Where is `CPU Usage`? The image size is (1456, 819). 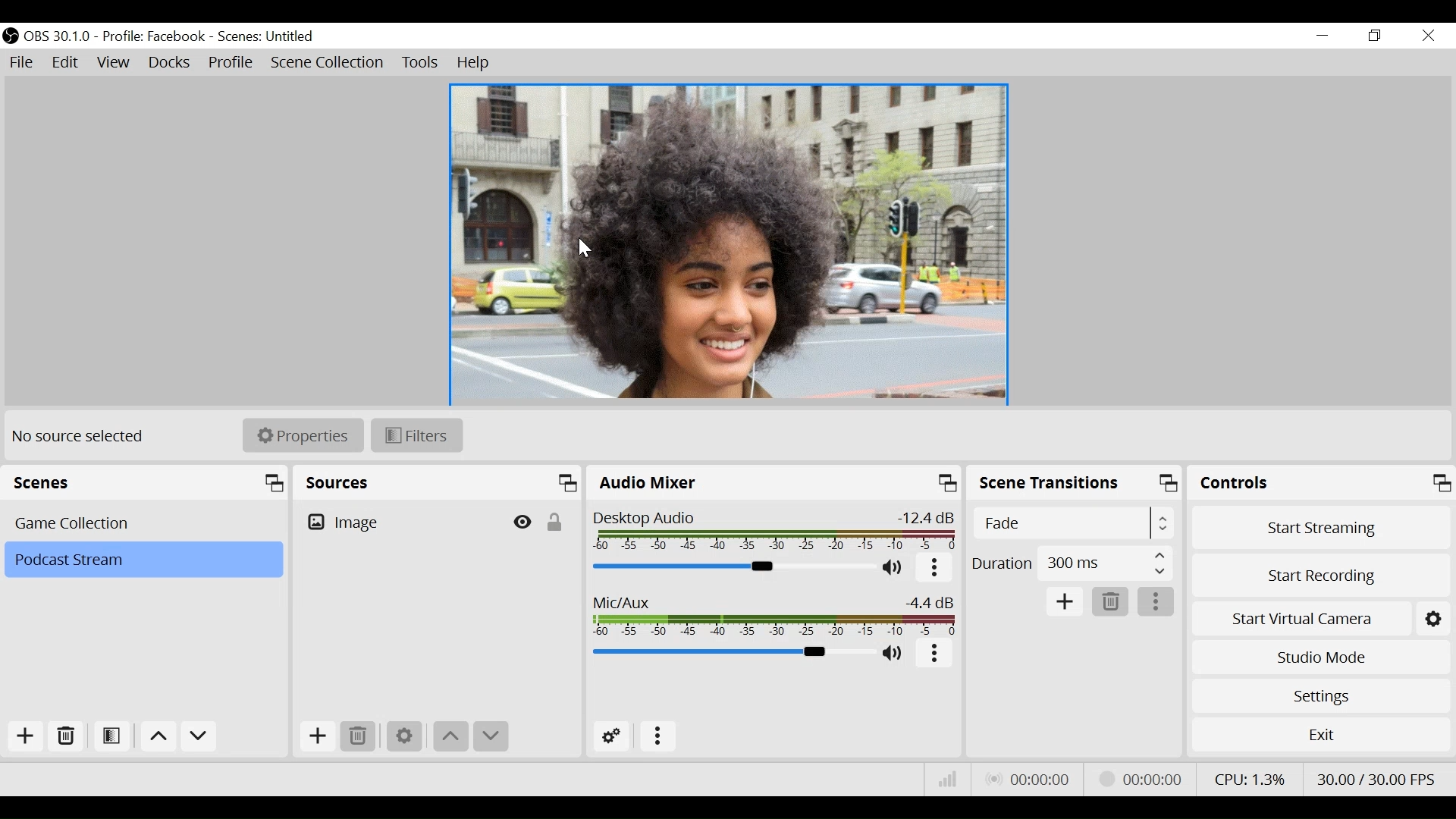
CPU Usage is located at coordinates (1250, 778).